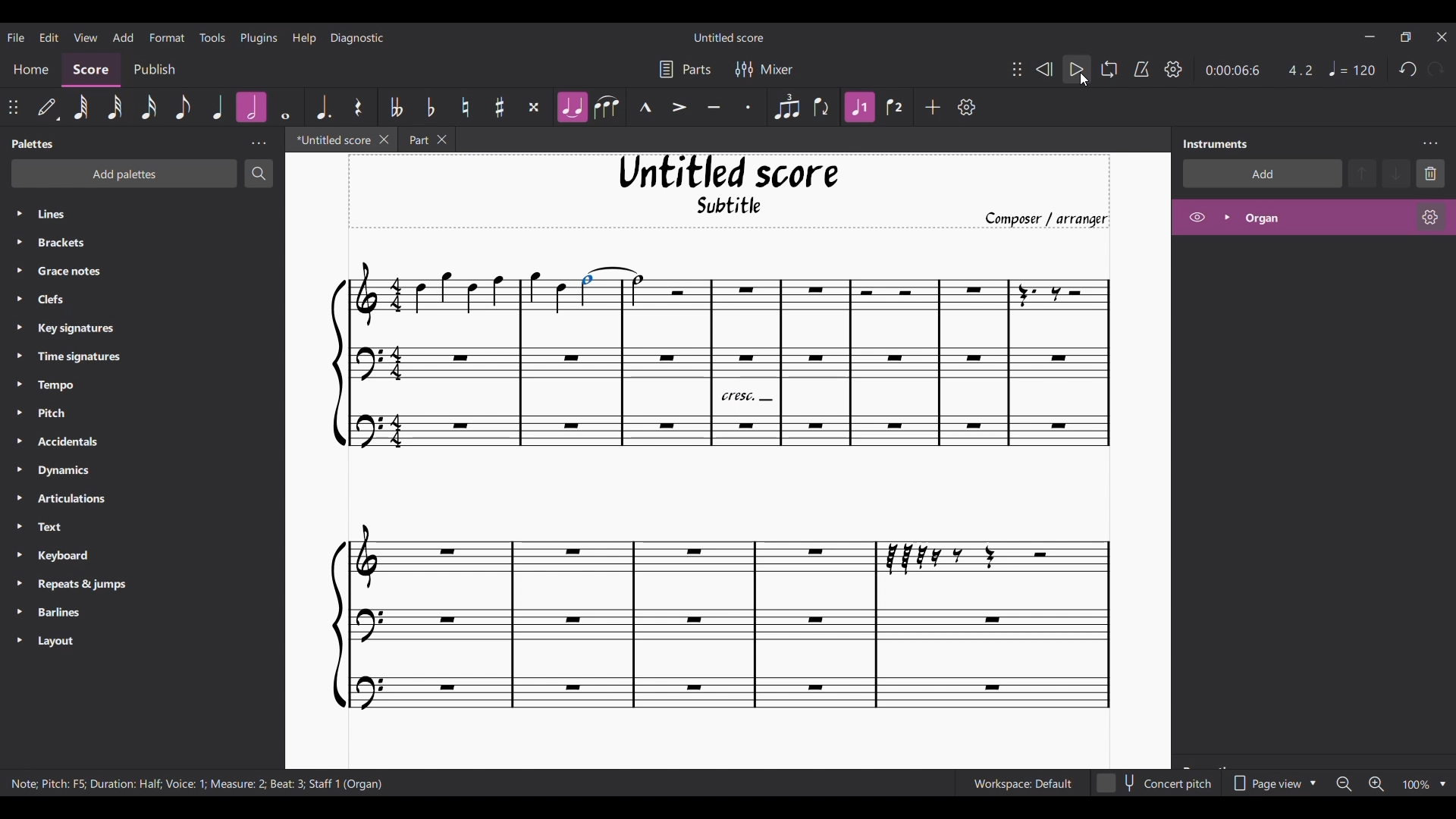  I want to click on Zoom in, so click(1376, 784).